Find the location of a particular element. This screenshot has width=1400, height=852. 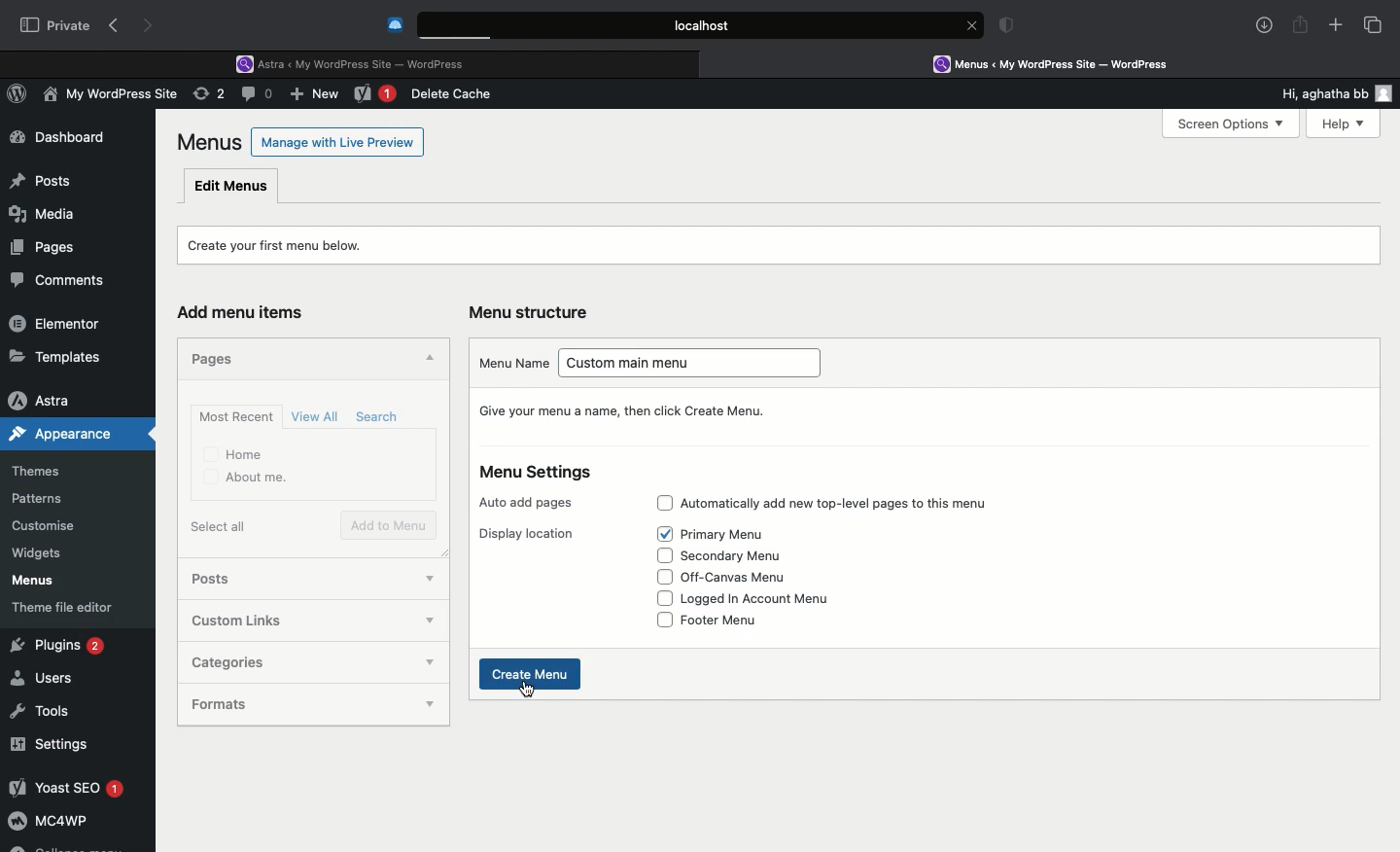

Share is located at coordinates (1301, 25).